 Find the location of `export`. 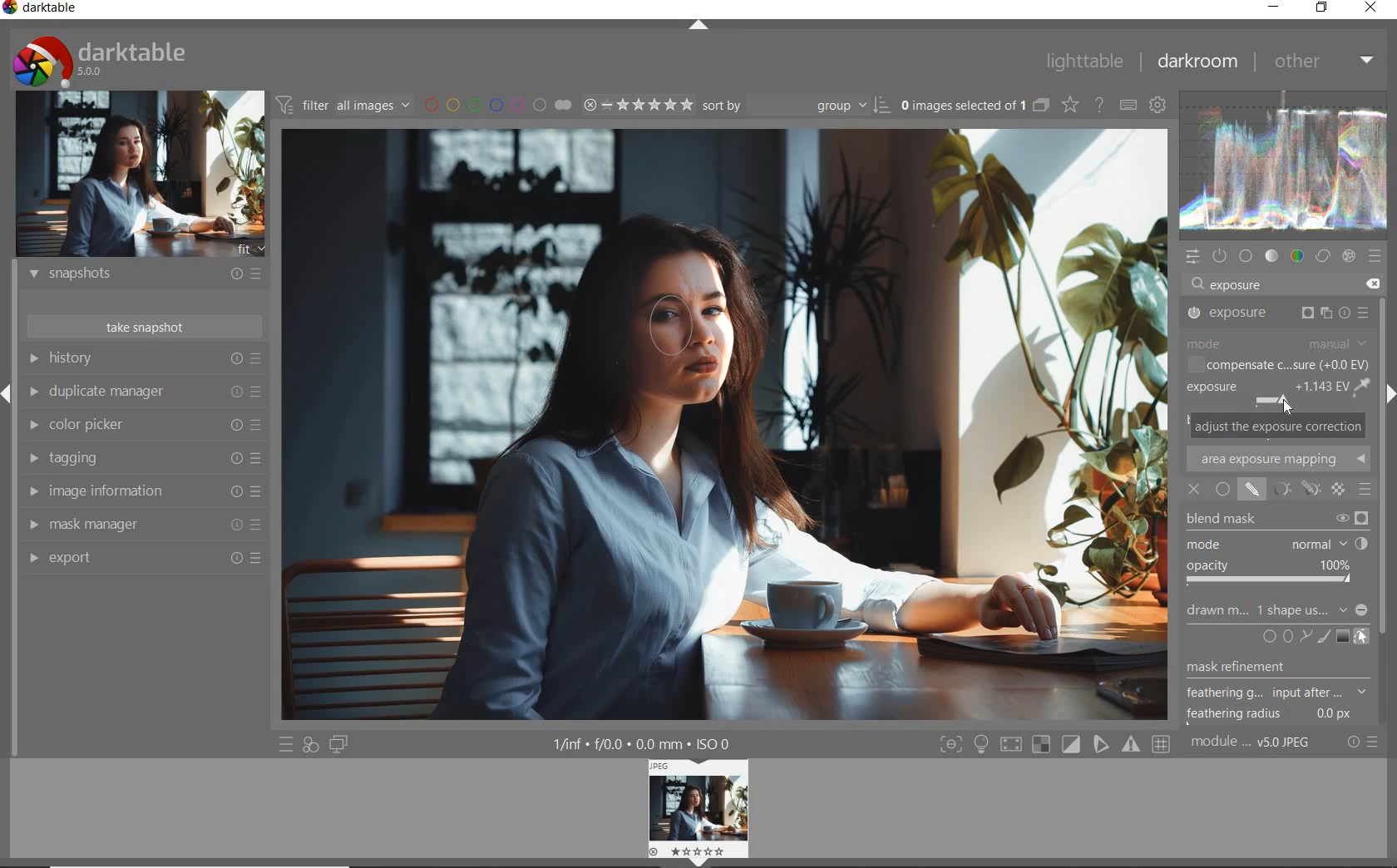

export is located at coordinates (144, 557).